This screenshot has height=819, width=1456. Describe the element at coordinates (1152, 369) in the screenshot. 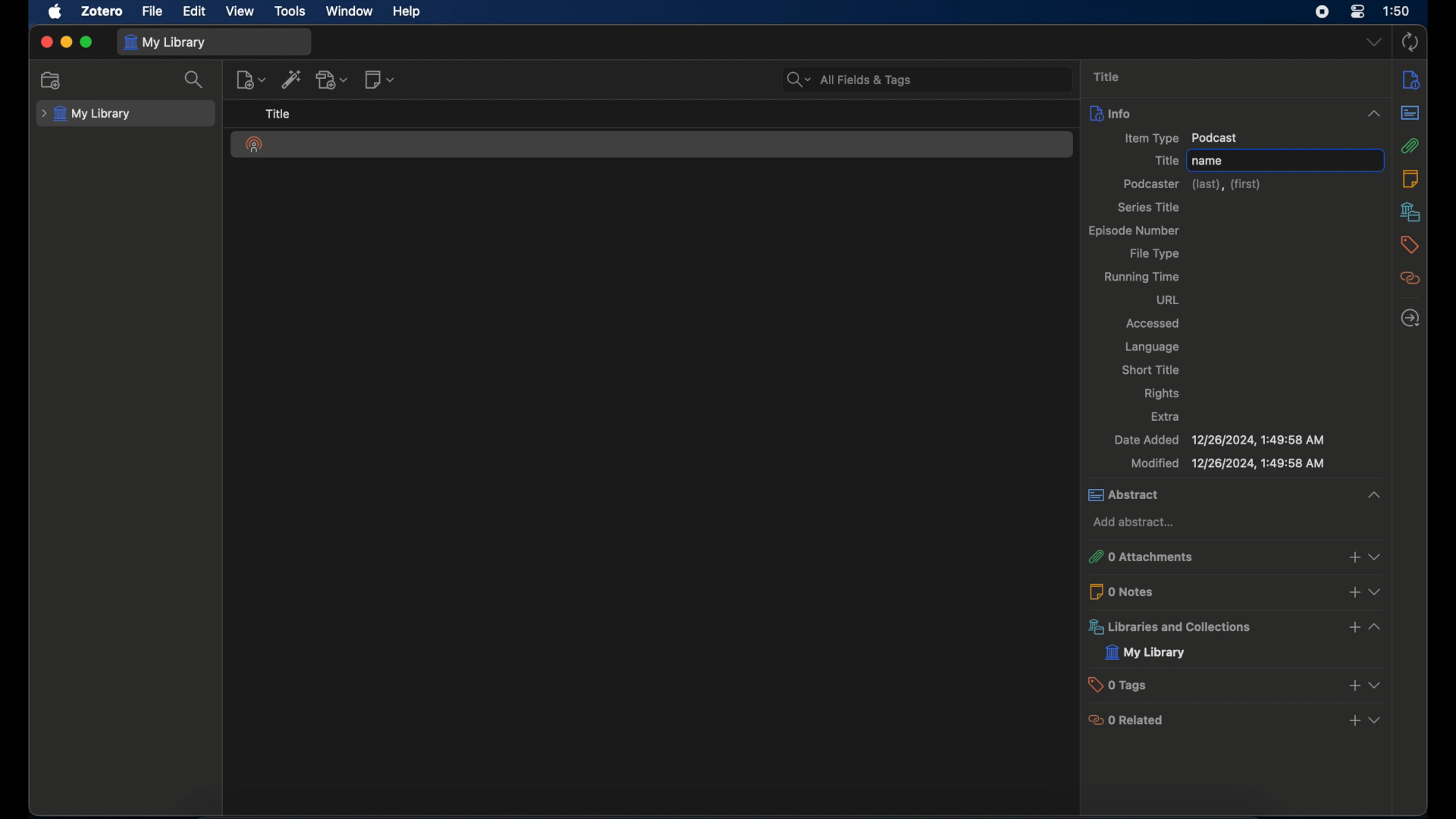

I see `short title` at that location.